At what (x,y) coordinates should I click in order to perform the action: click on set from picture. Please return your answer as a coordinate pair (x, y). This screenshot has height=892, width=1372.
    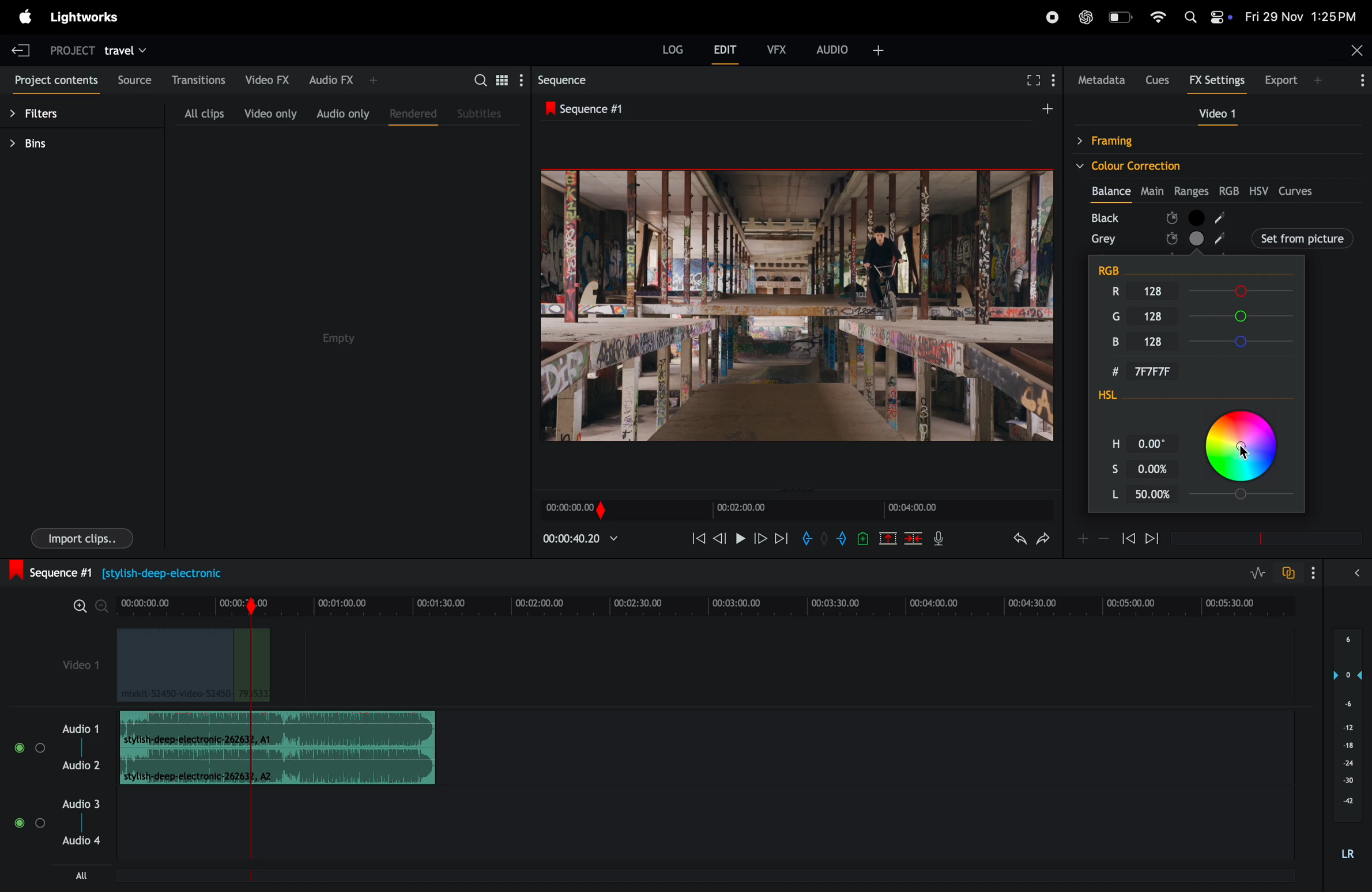
    Looking at the image, I should click on (1258, 237).